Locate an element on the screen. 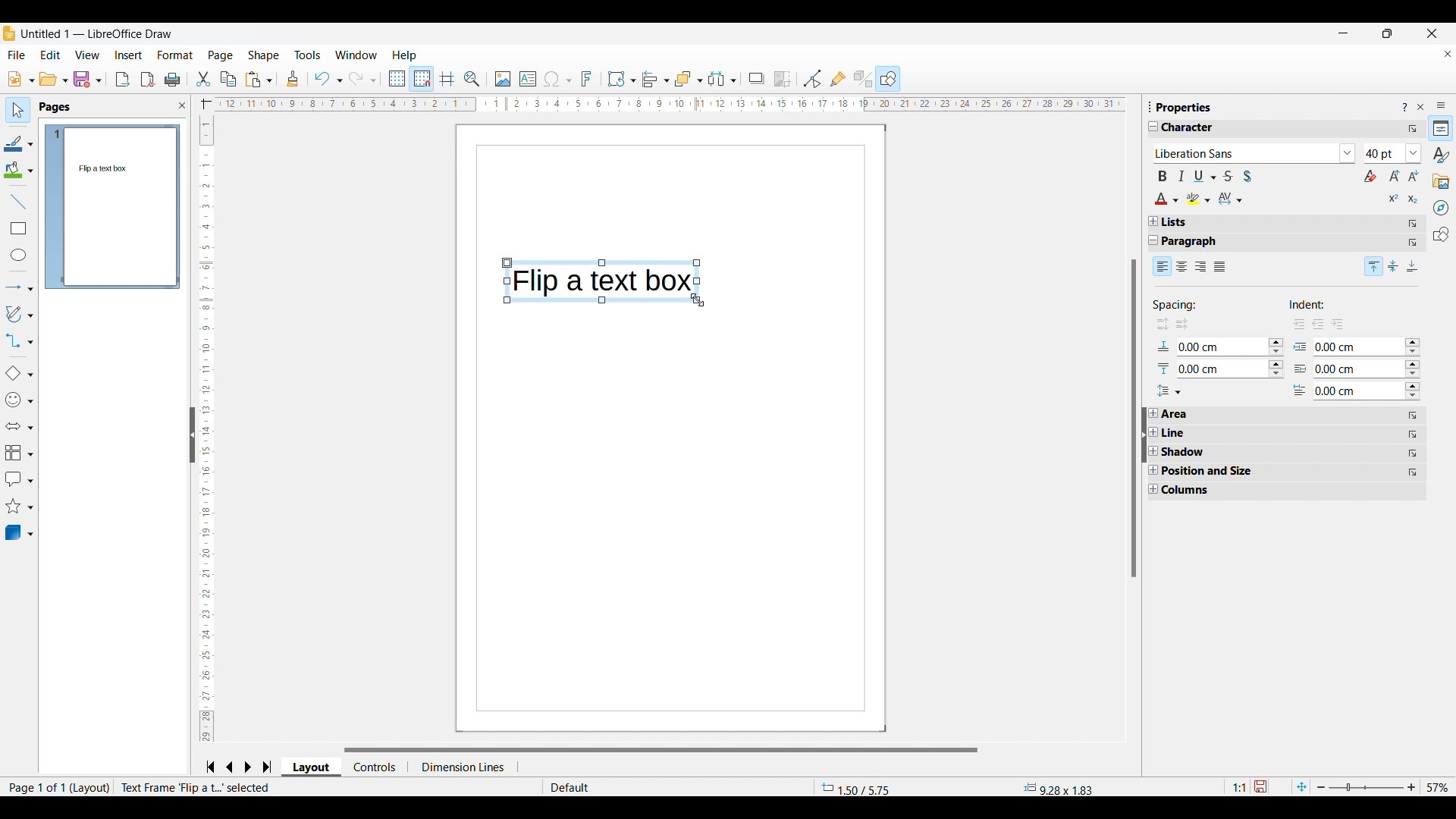 Image resolution: width=1456 pixels, height=819 pixels. Basic shape options is located at coordinates (19, 373).